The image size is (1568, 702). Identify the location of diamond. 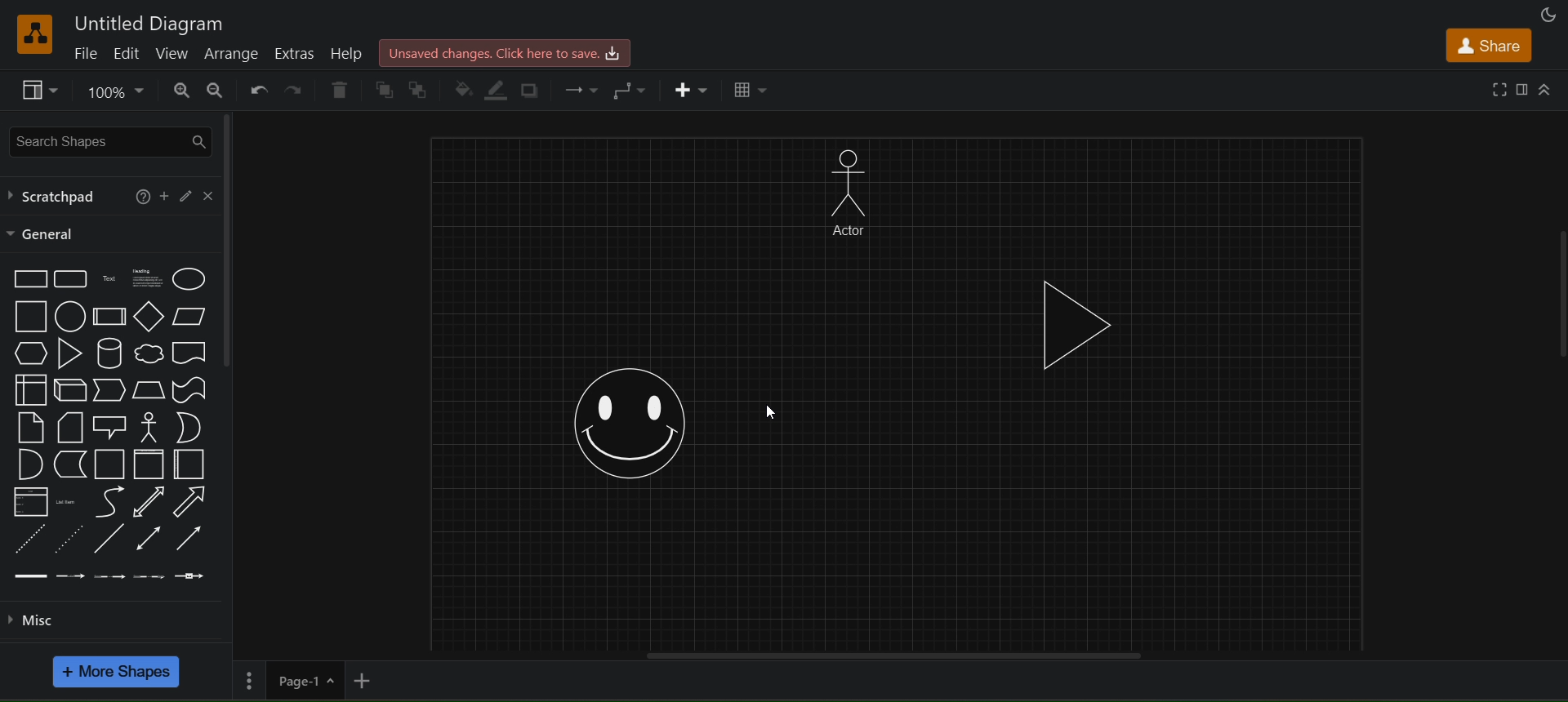
(145, 317).